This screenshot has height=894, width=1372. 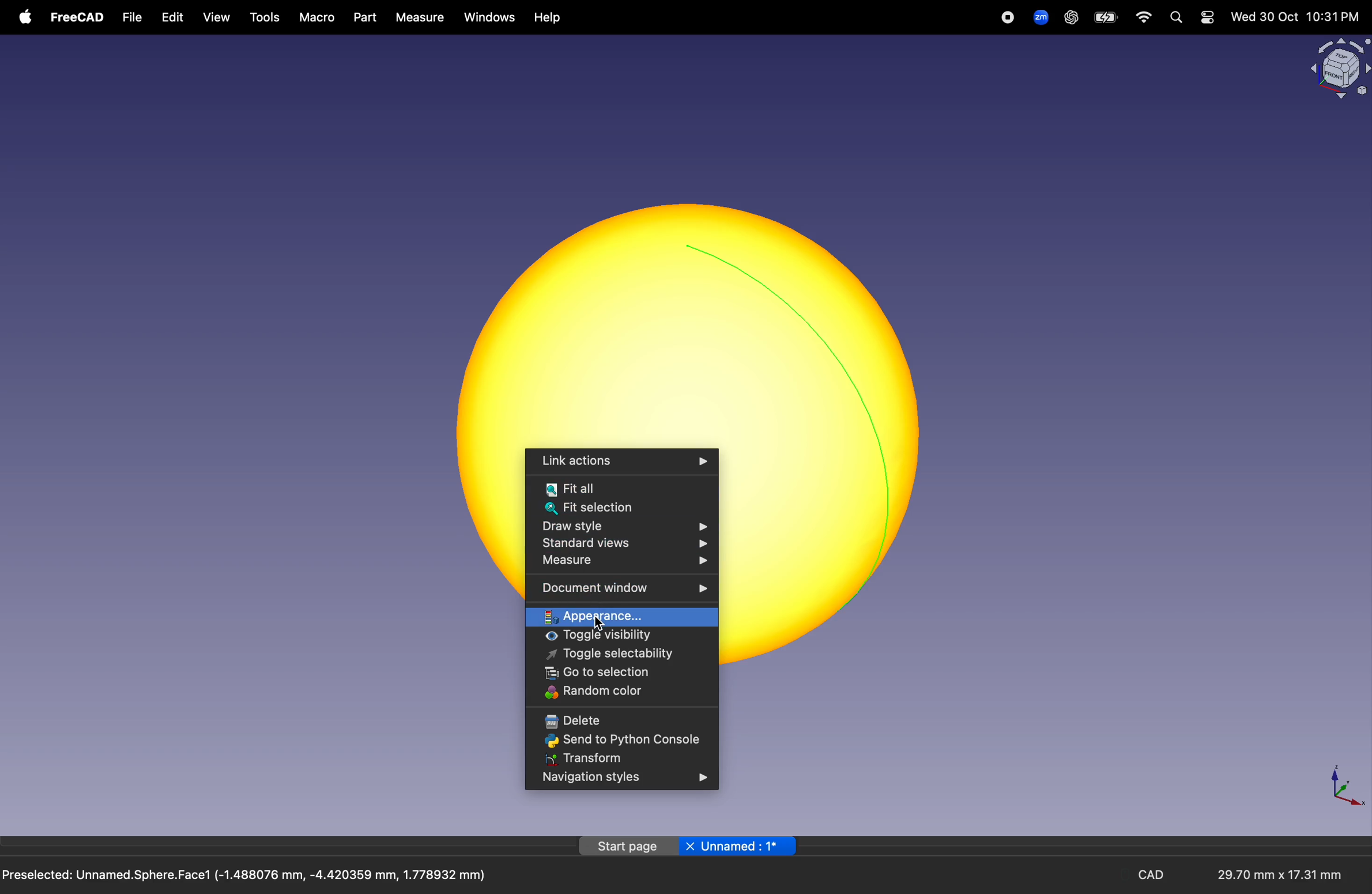 I want to click on edit, so click(x=170, y=17).